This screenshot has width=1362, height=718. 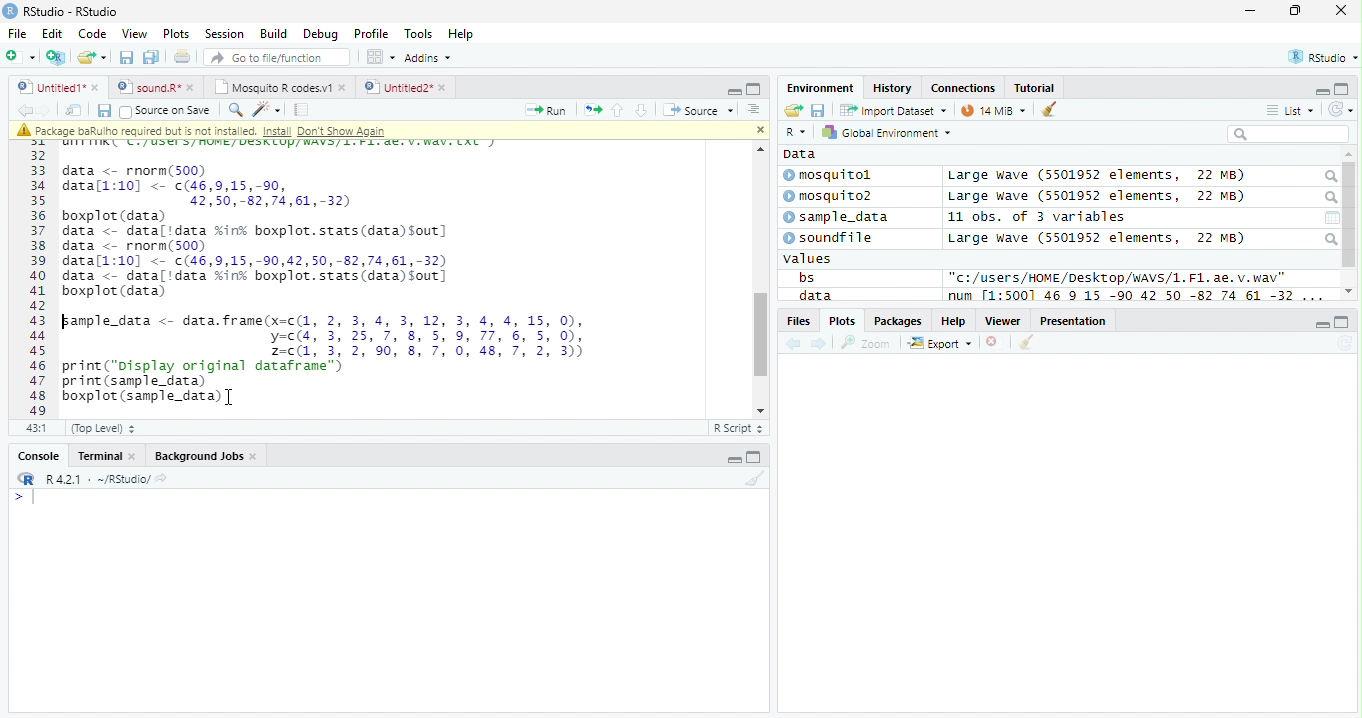 What do you see at coordinates (1344, 344) in the screenshot?
I see `Refresh` at bounding box center [1344, 344].